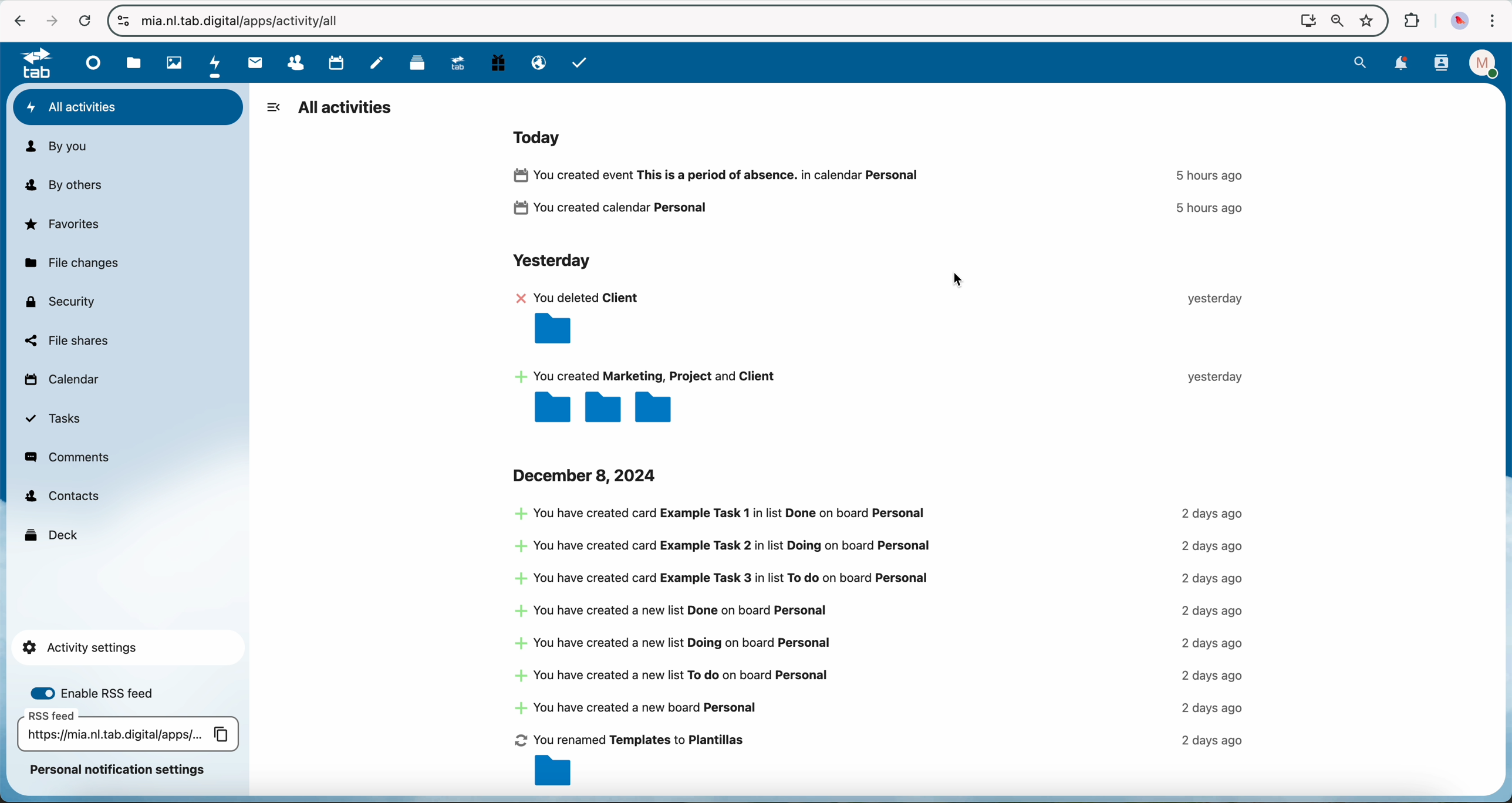 The image size is (1512, 803). I want to click on december 8, so click(588, 475).